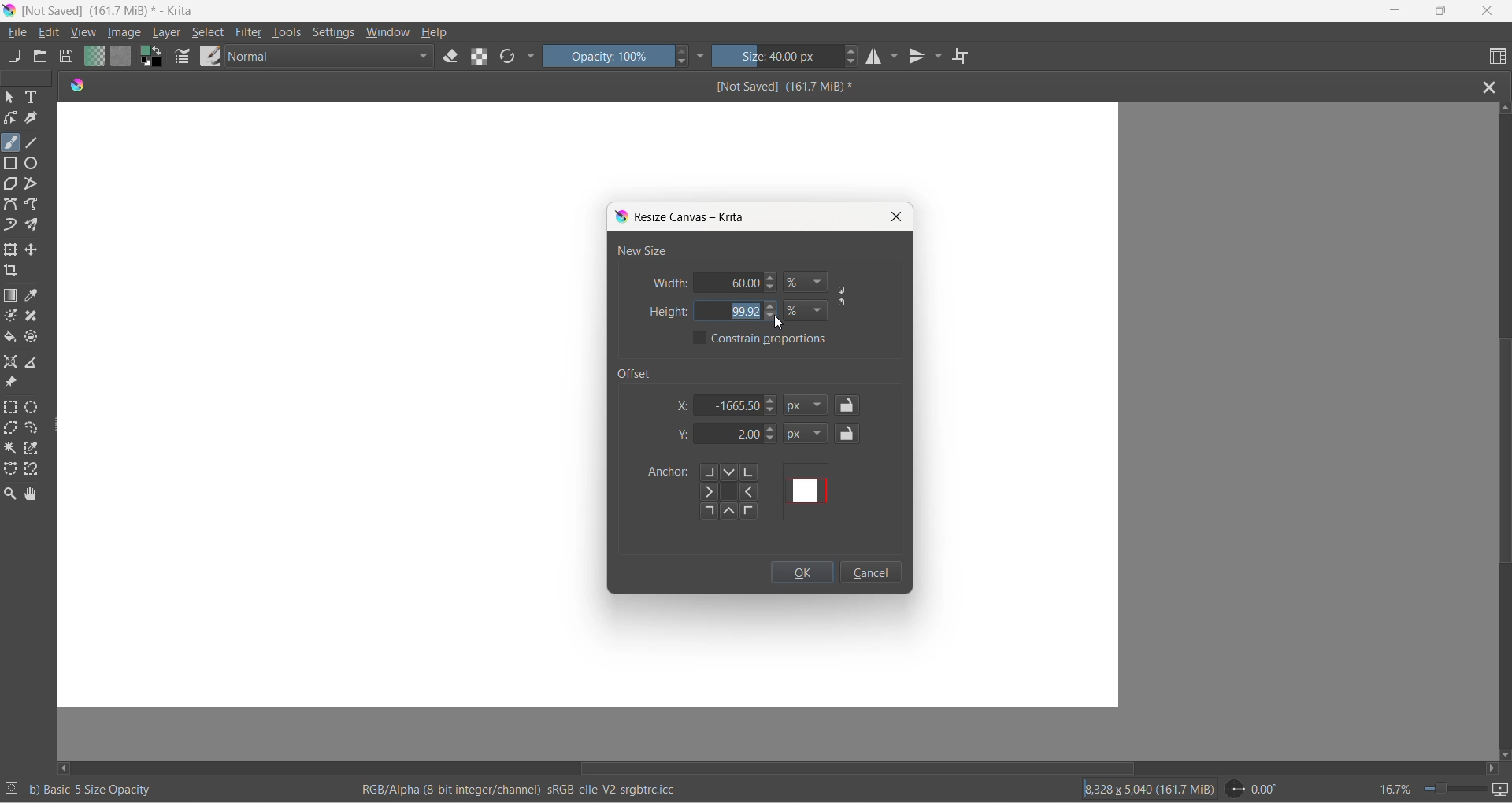 The height and width of the screenshot is (803, 1512). Describe the element at coordinates (1490, 768) in the screenshot. I see `scroll right button` at that location.